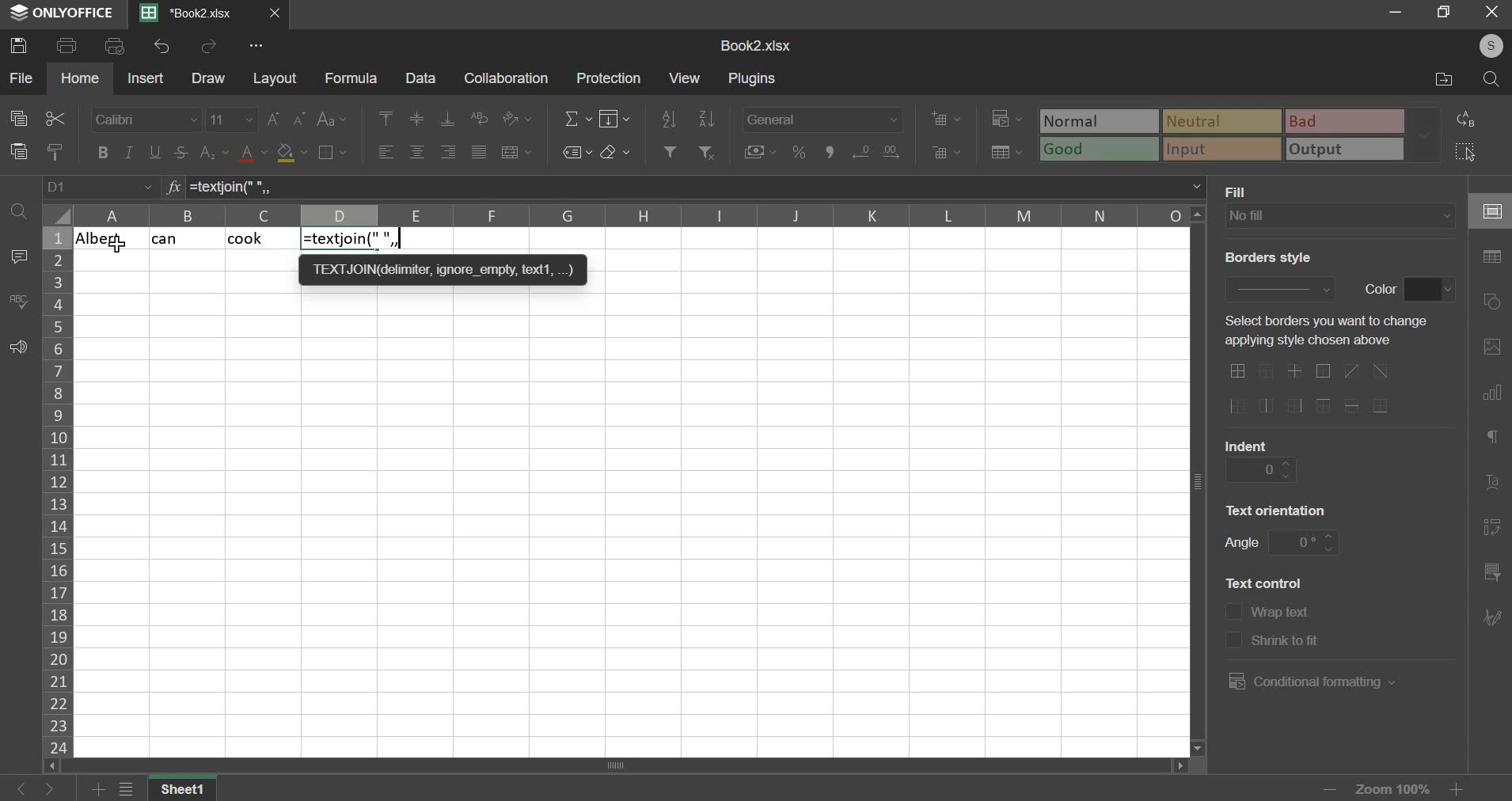 This screenshot has width=1512, height=801. Describe the element at coordinates (1445, 12) in the screenshot. I see `resize` at that location.